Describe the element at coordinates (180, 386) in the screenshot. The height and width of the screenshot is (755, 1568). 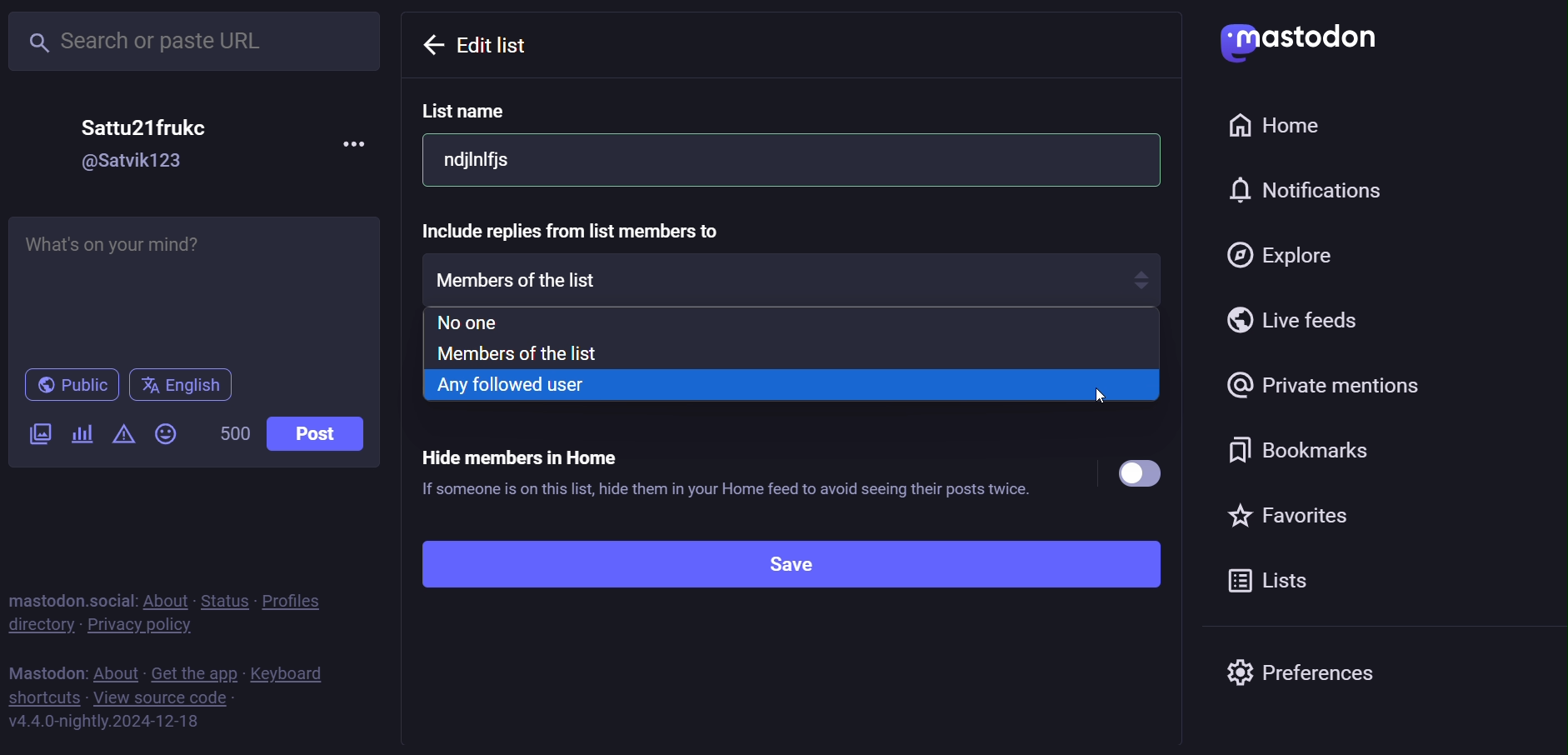
I see `english` at that location.